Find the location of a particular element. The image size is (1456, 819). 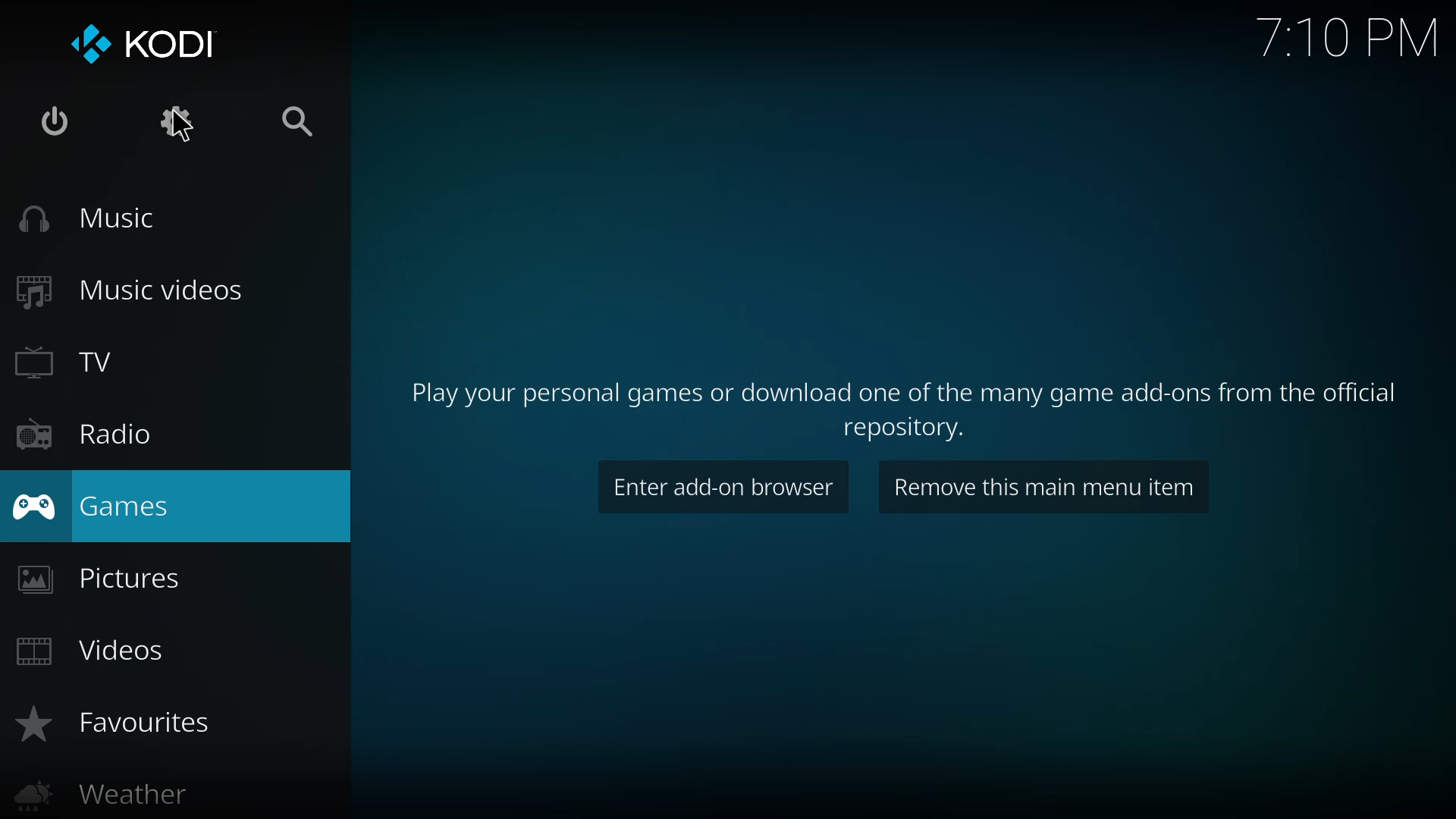

tv is located at coordinates (79, 362).